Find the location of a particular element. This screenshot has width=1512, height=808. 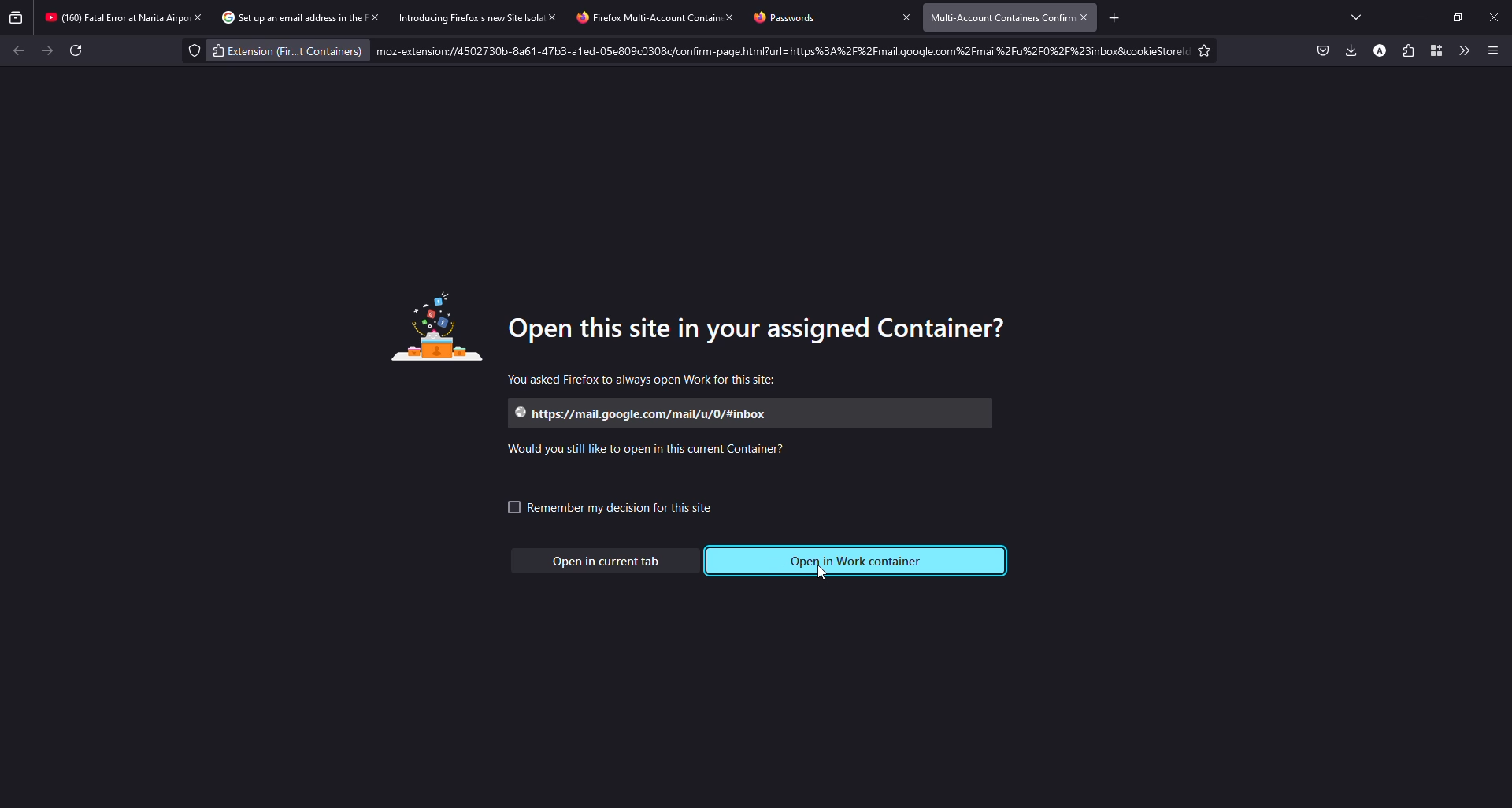

Extension (Fir...t Containers) is located at coordinates (287, 53).